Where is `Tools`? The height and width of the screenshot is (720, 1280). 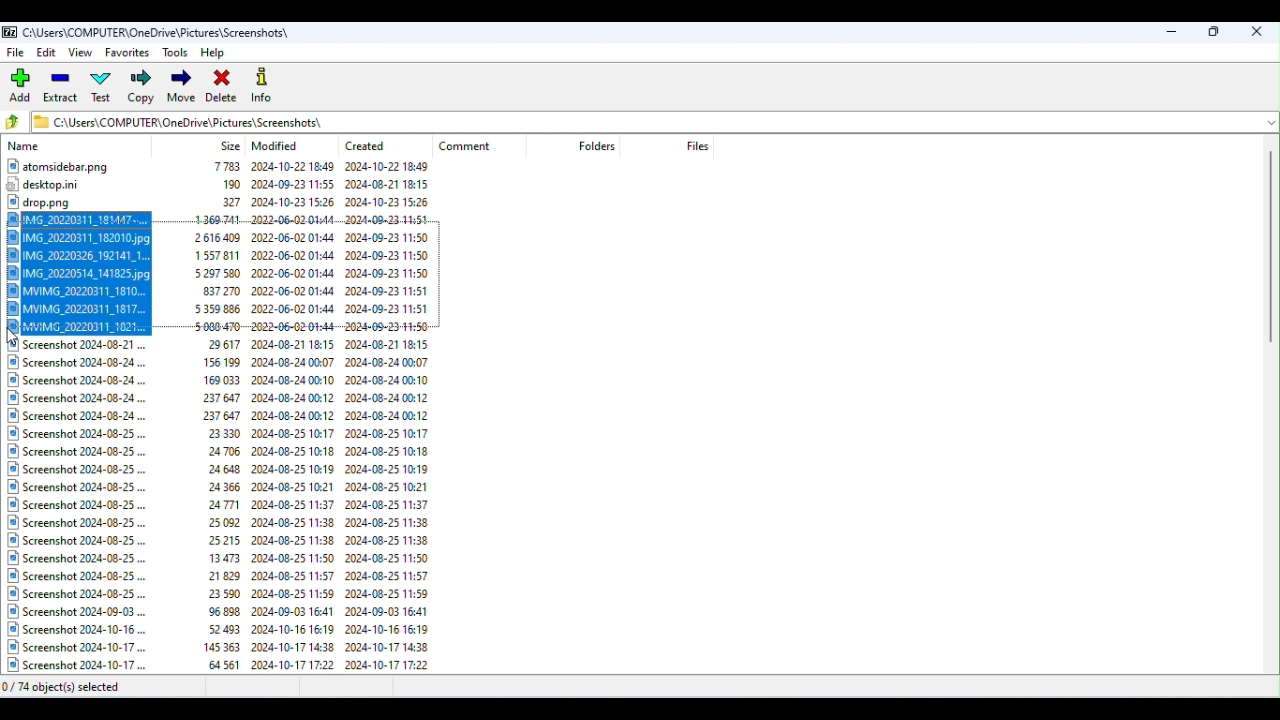 Tools is located at coordinates (176, 52).